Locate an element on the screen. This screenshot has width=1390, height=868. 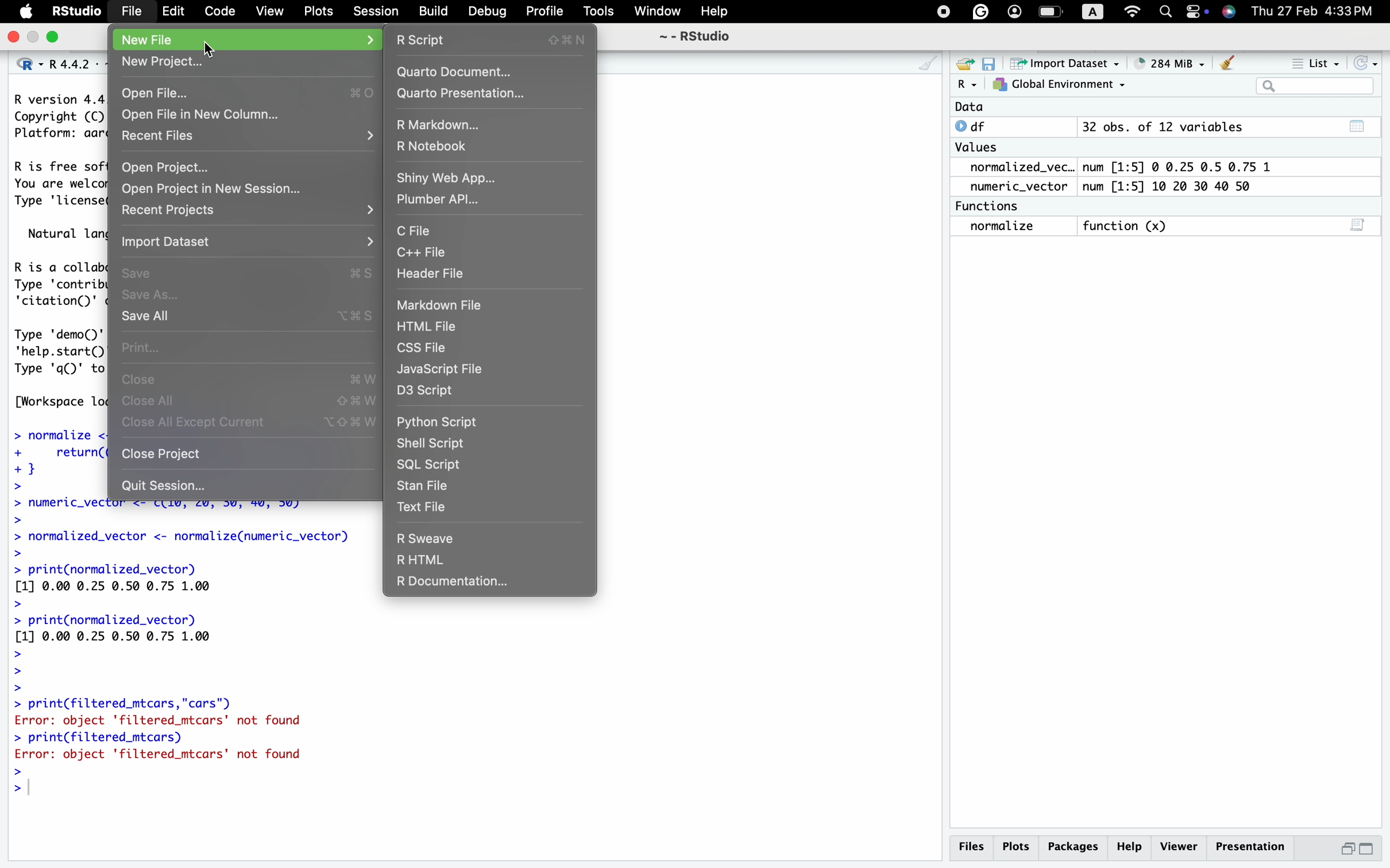
SAVE is located at coordinates (989, 64).